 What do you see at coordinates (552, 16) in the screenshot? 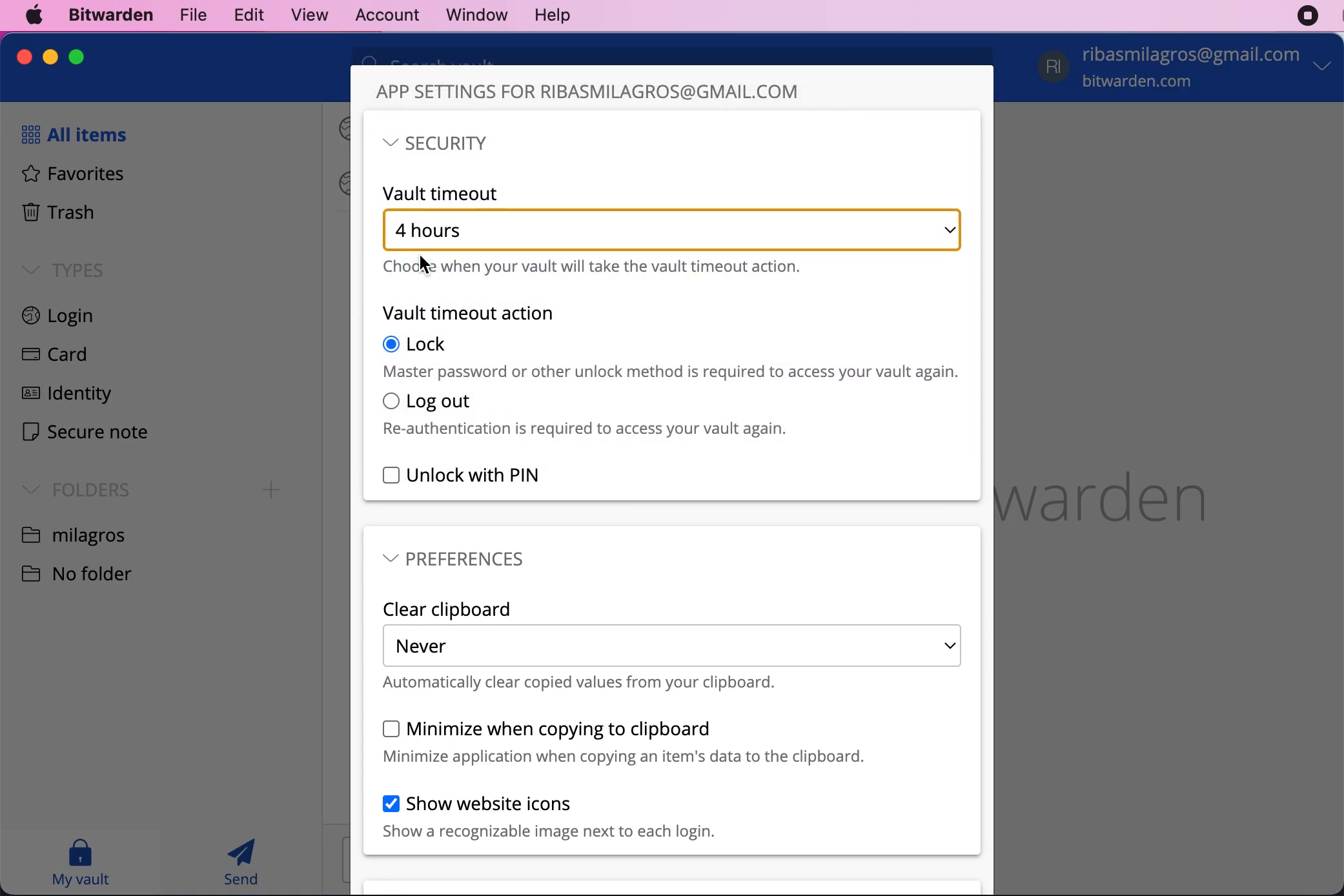
I see `help` at bounding box center [552, 16].